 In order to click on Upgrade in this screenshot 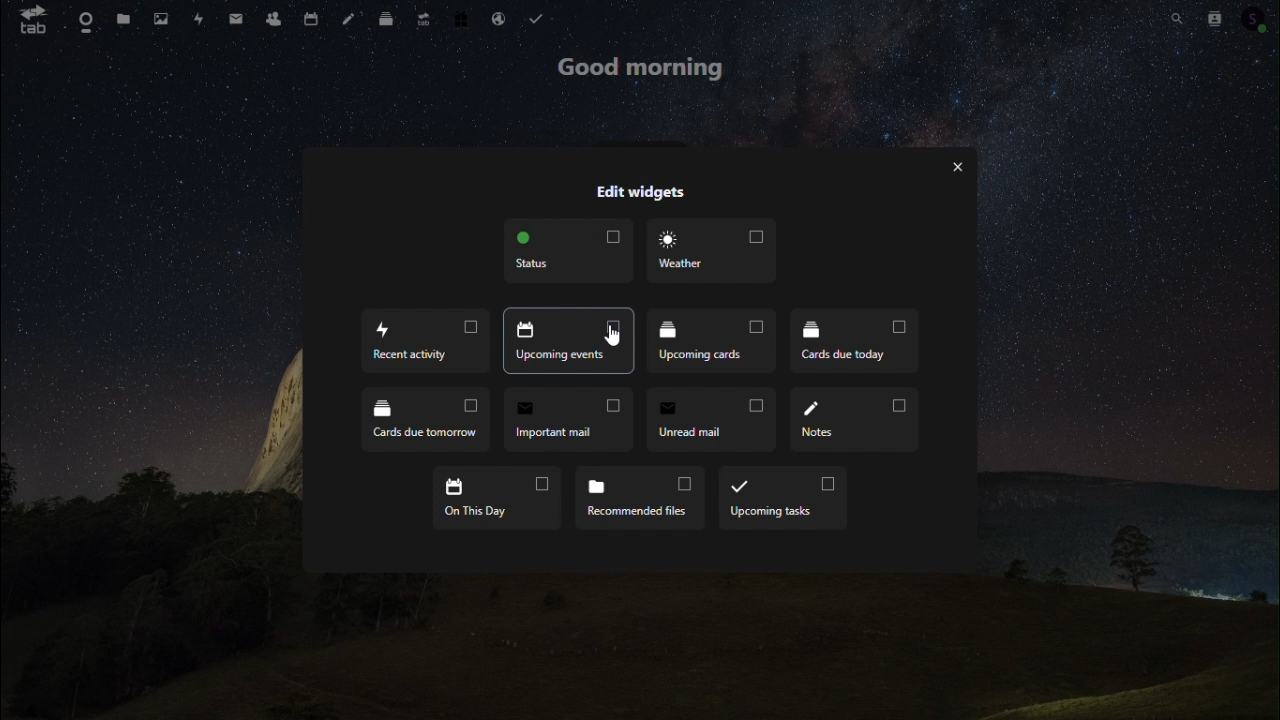, I will do `click(424, 16)`.